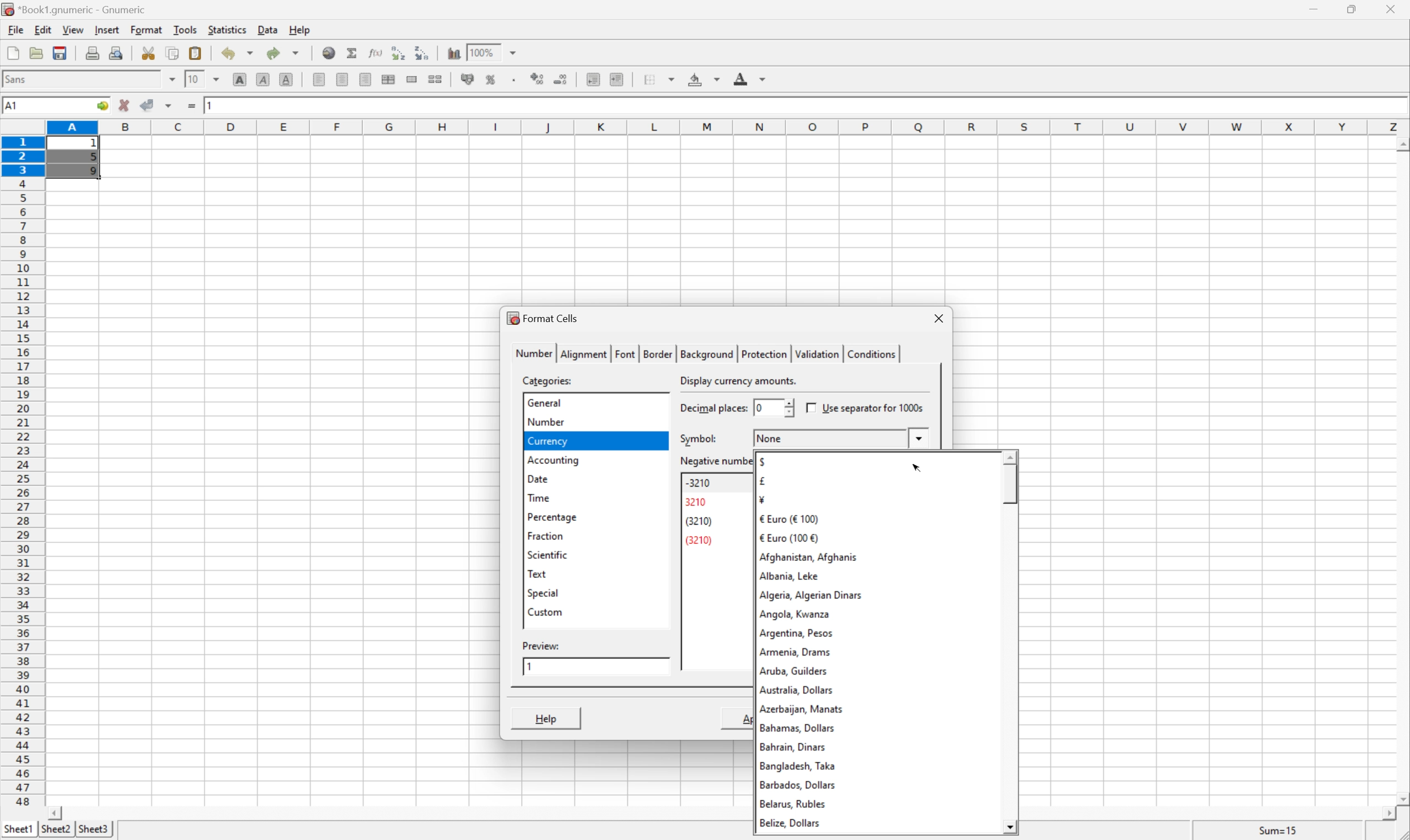 The width and height of the screenshot is (1410, 840). Describe the element at coordinates (559, 79) in the screenshot. I see `decrease number of decimals displayed` at that location.